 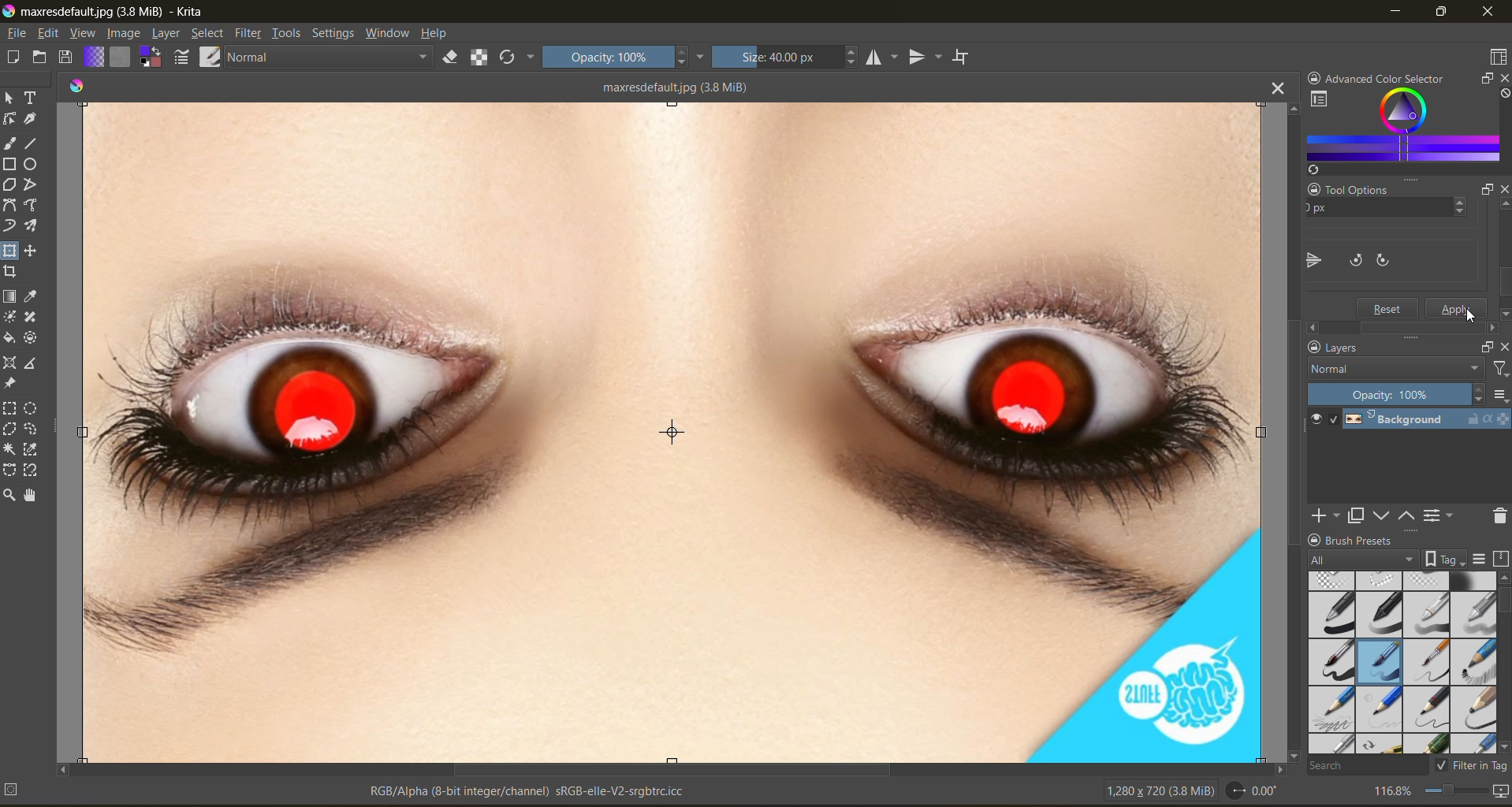 I want to click on brush presets, so click(x=1402, y=663).